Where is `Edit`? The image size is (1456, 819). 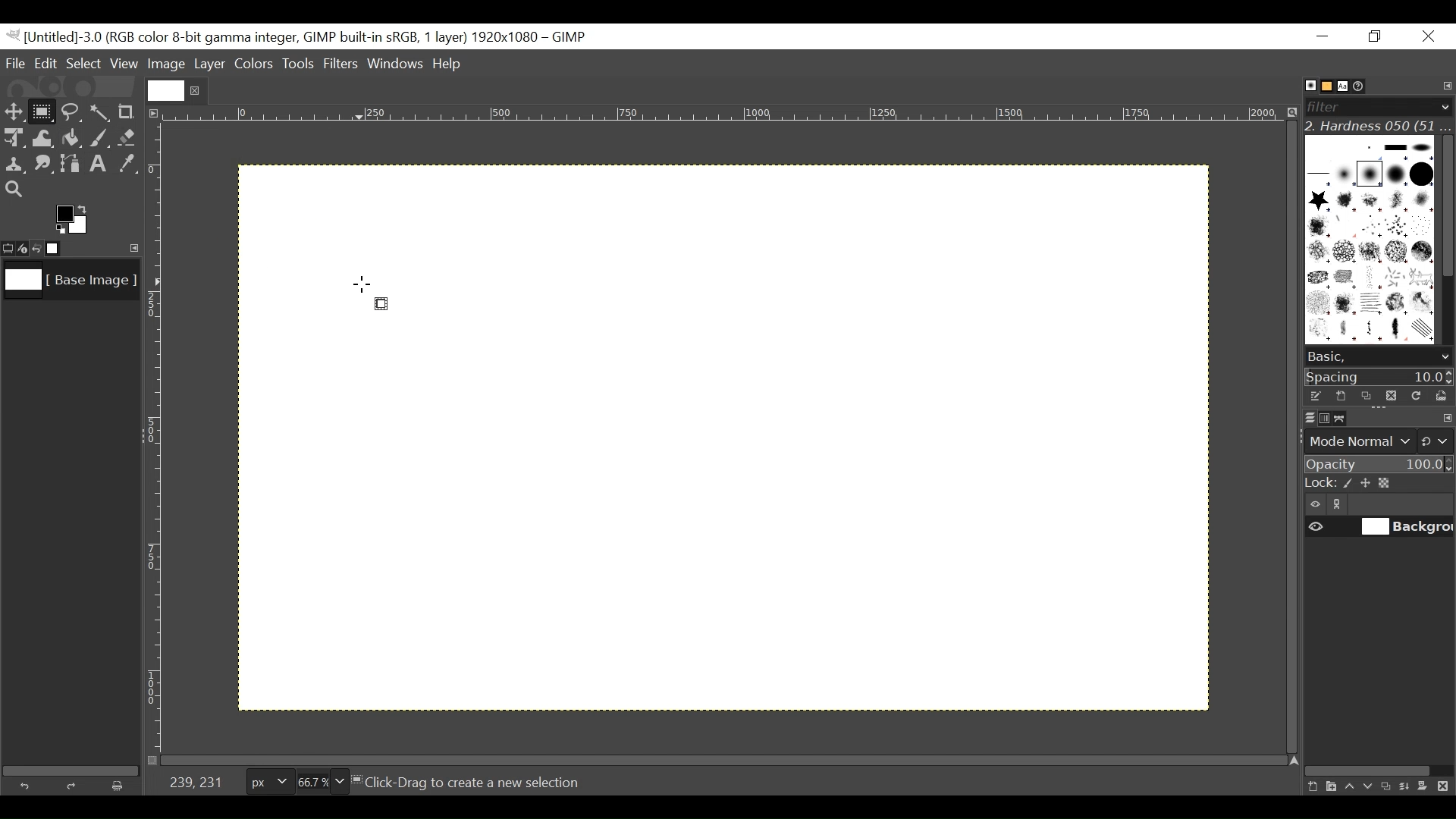
Edit is located at coordinates (47, 63).